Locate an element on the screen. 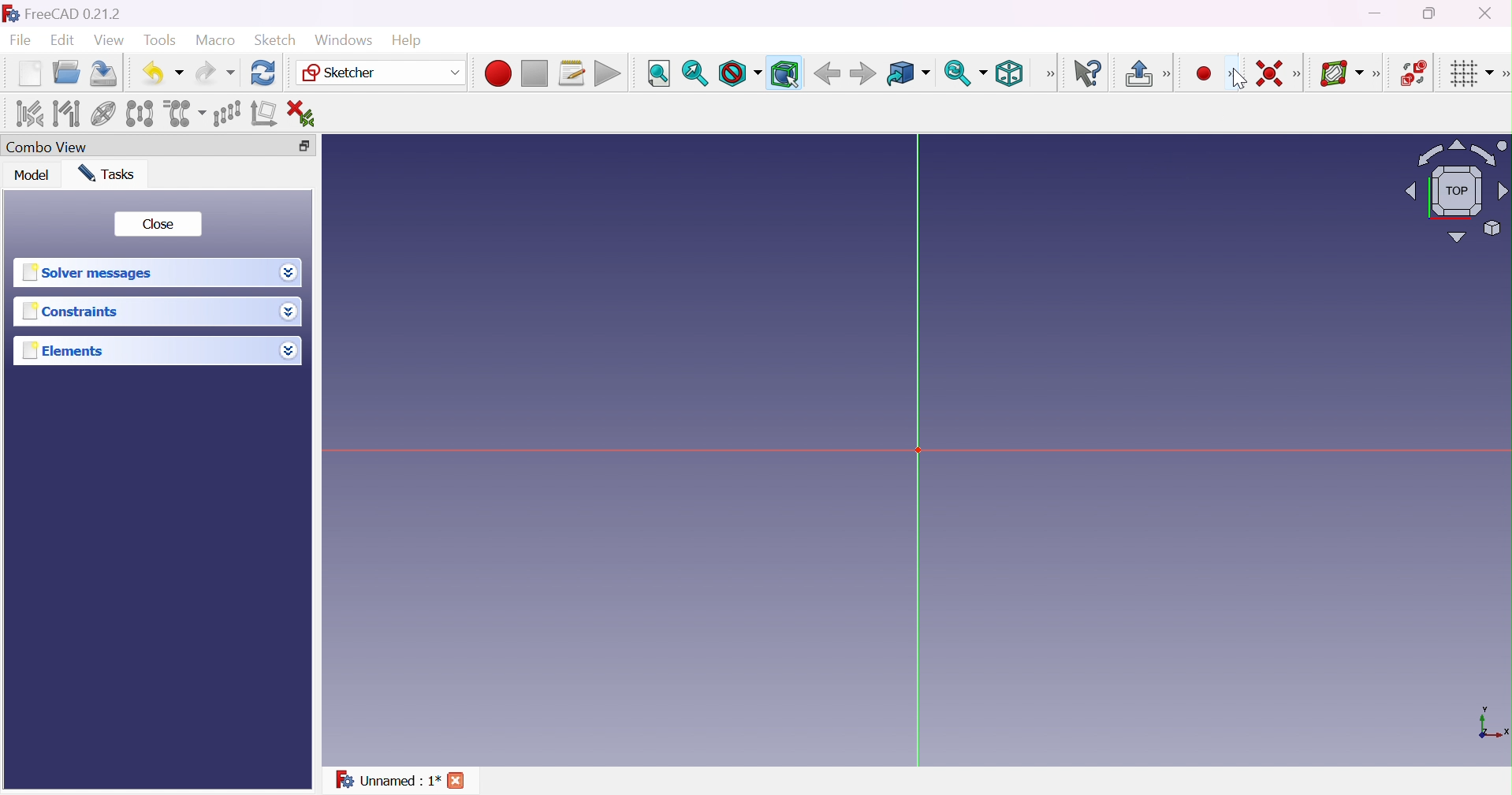 The height and width of the screenshot is (795, 1512). Minimize is located at coordinates (1376, 15).